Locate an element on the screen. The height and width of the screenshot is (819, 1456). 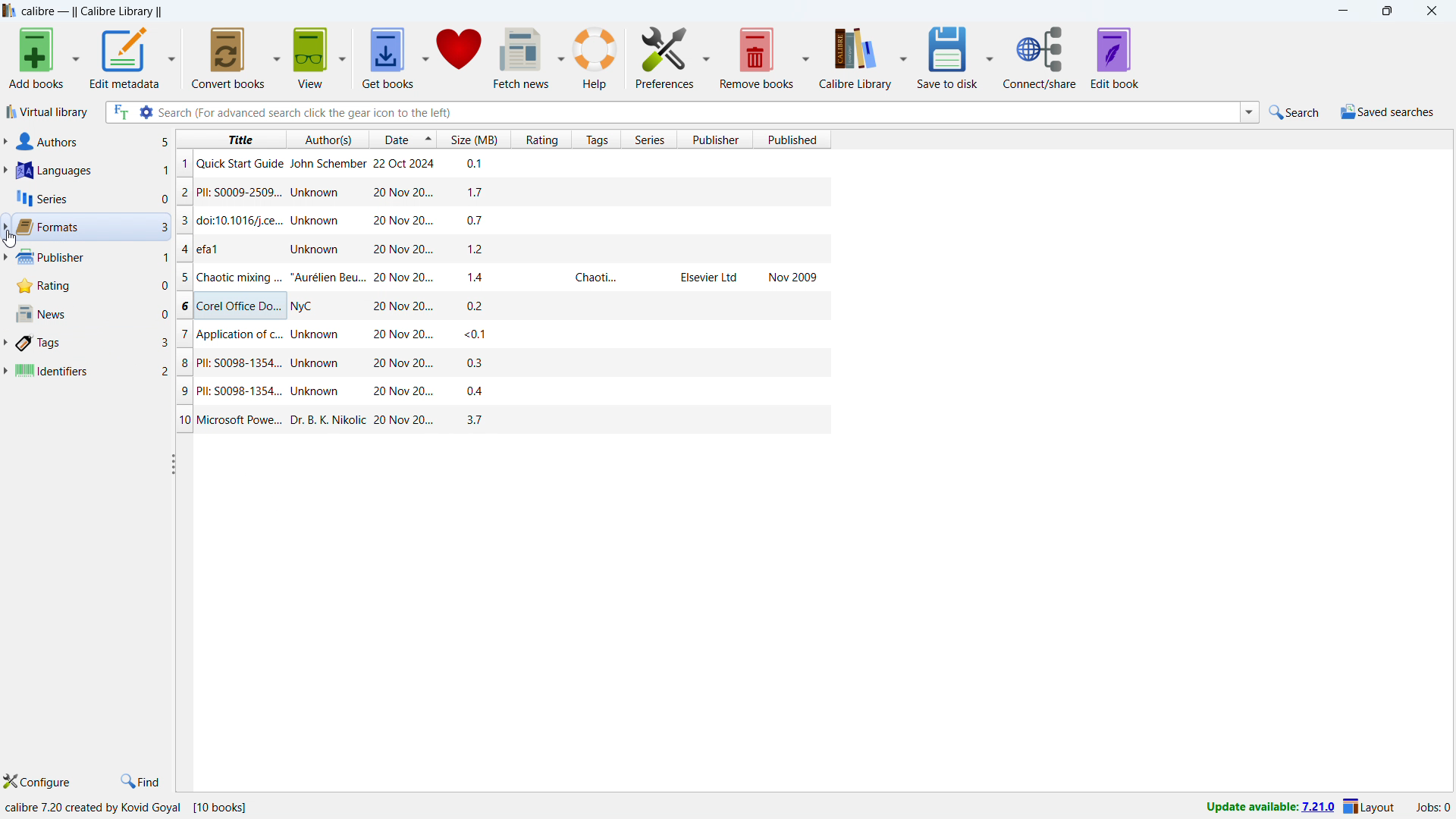
convert books is located at coordinates (230, 58).